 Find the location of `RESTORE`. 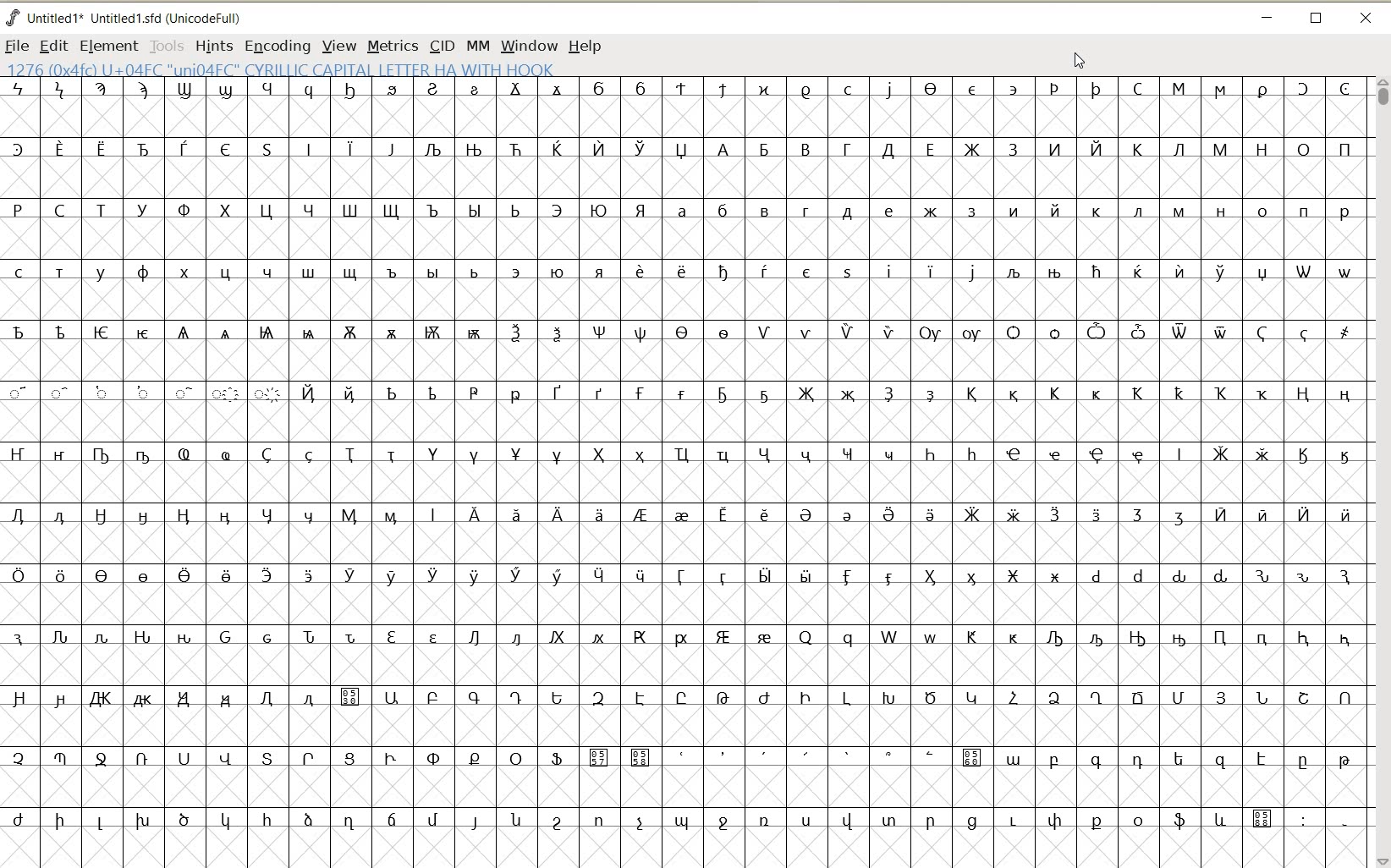

RESTORE is located at coordinates (1317, 19).